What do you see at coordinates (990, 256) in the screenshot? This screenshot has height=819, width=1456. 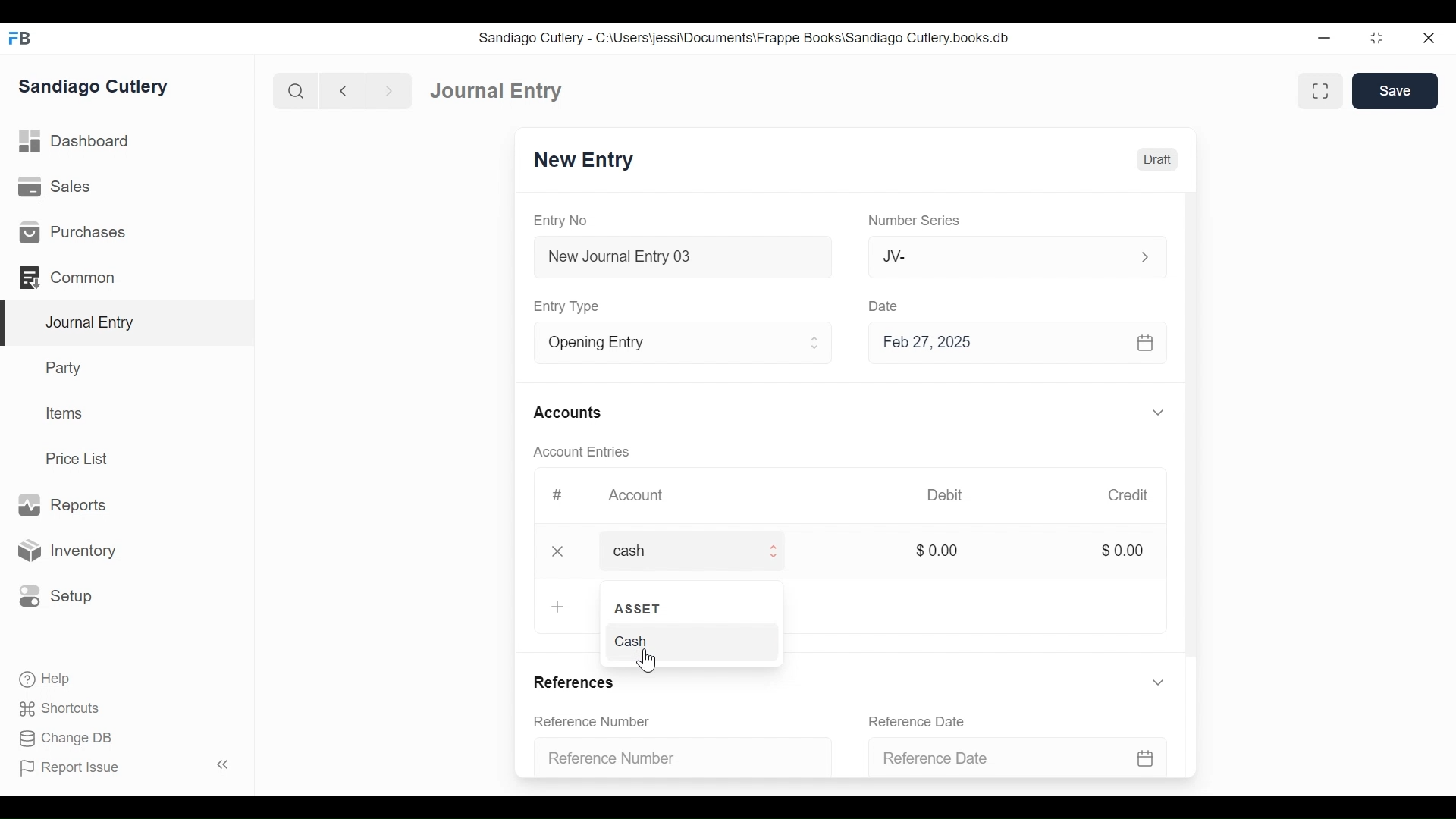 I see `JV-` at bounding box center [990, 256].